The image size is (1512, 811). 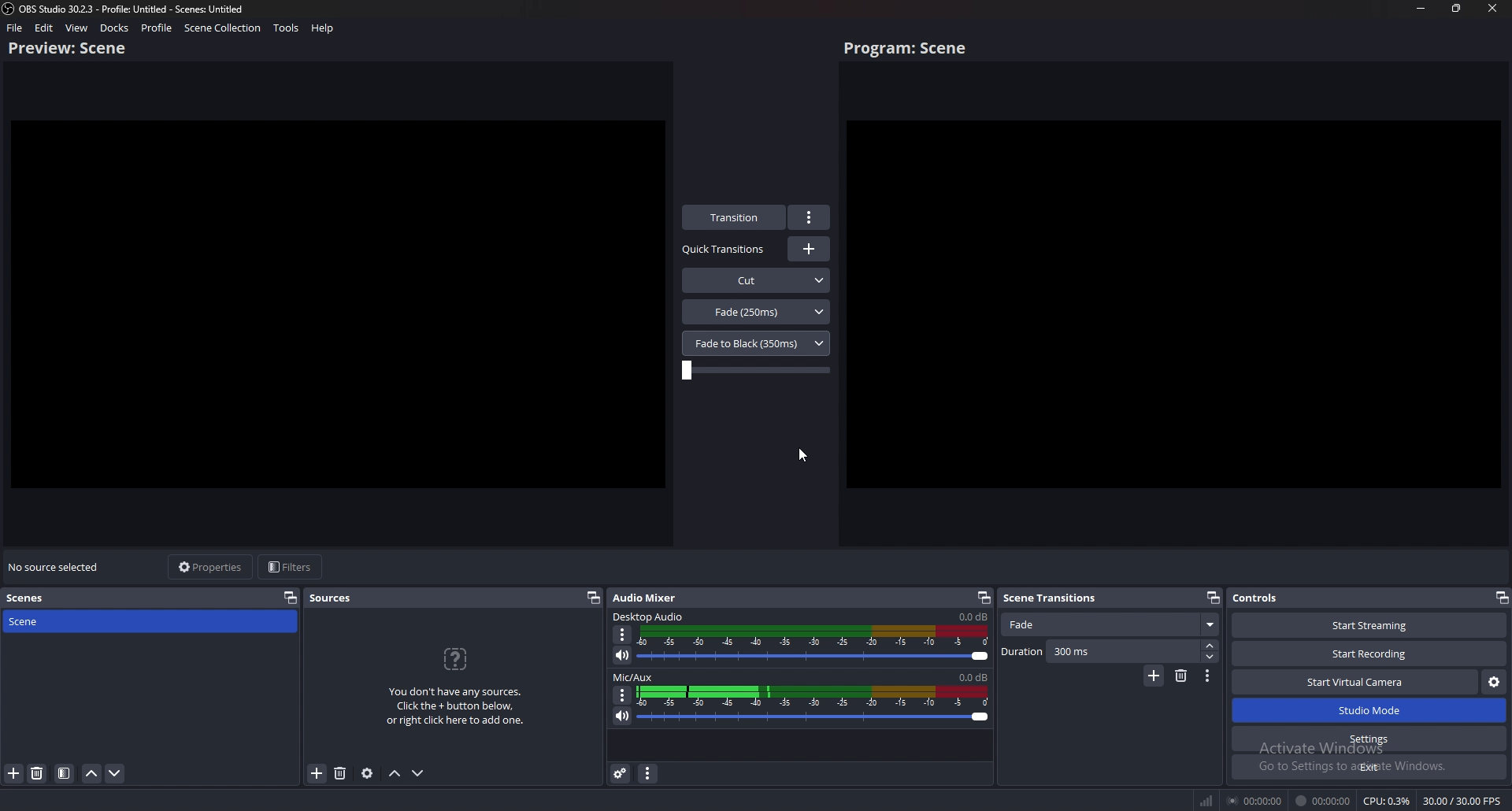 I want to click on Desktop audio, so click(x=972, y=617).